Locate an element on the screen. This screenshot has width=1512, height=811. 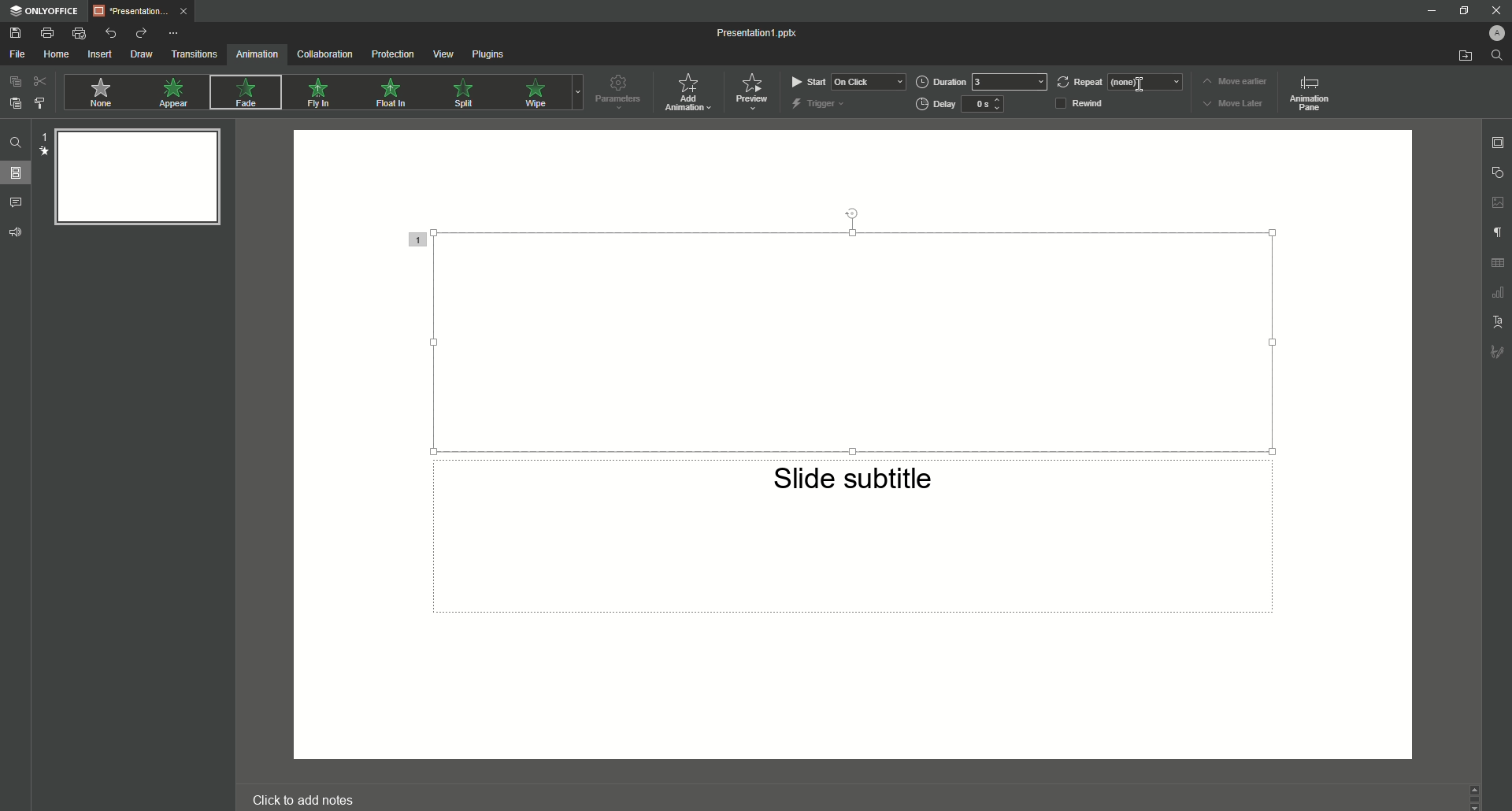
Move Later is located at coordinates (1236, 103).